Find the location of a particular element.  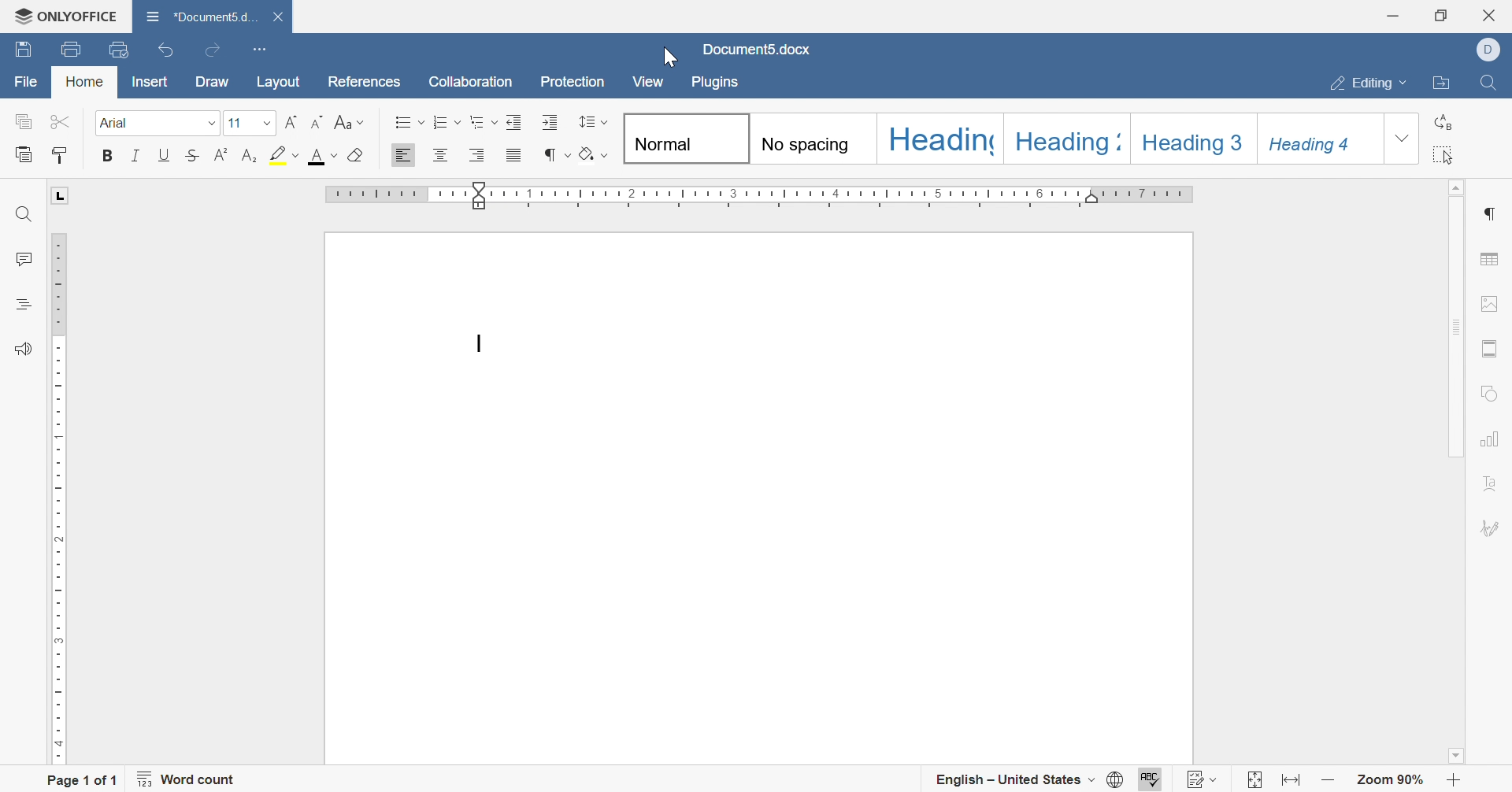

editing is located at coordinates (1368, 83).